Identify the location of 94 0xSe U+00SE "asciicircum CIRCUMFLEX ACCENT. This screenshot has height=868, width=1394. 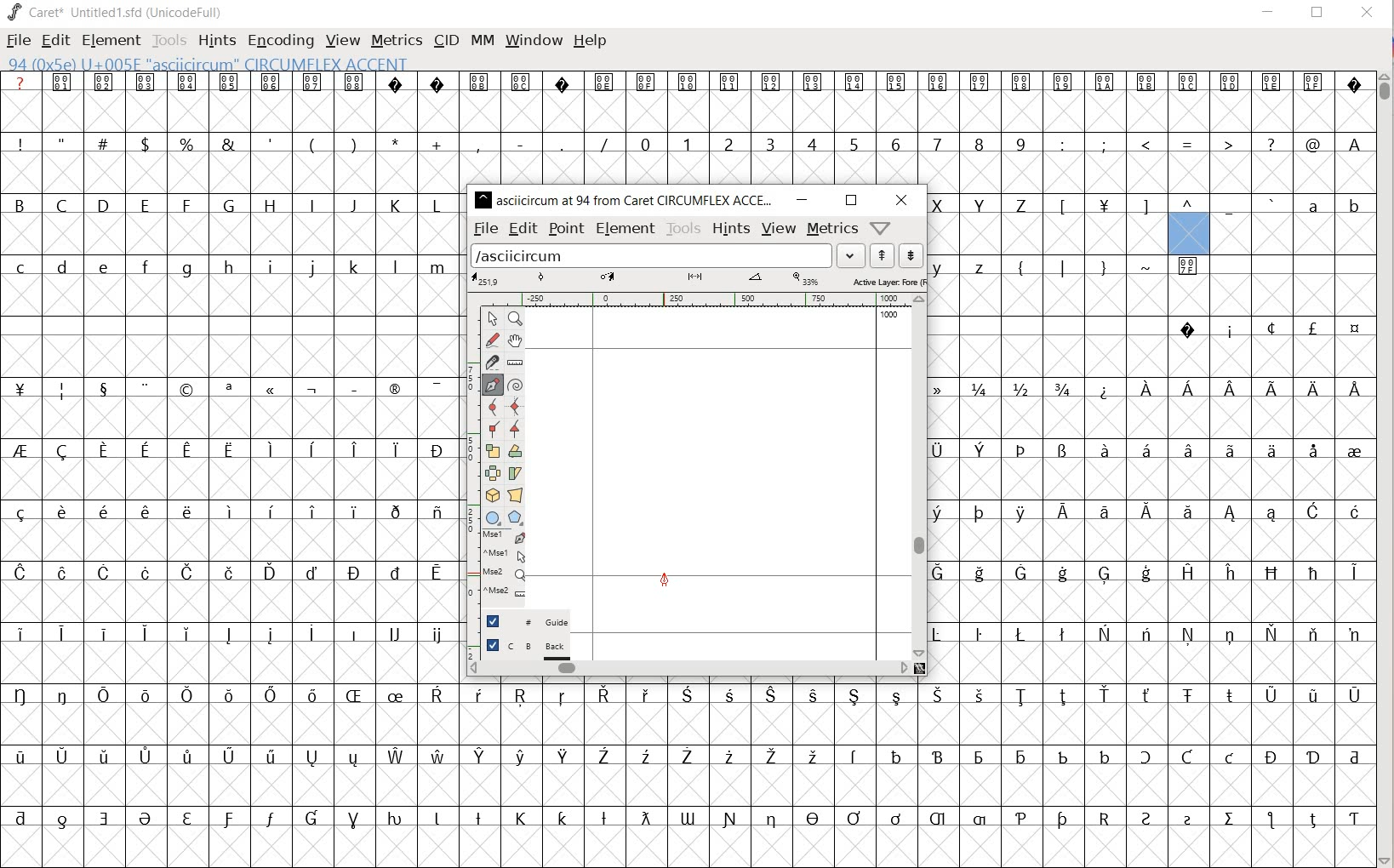
(269, 65).